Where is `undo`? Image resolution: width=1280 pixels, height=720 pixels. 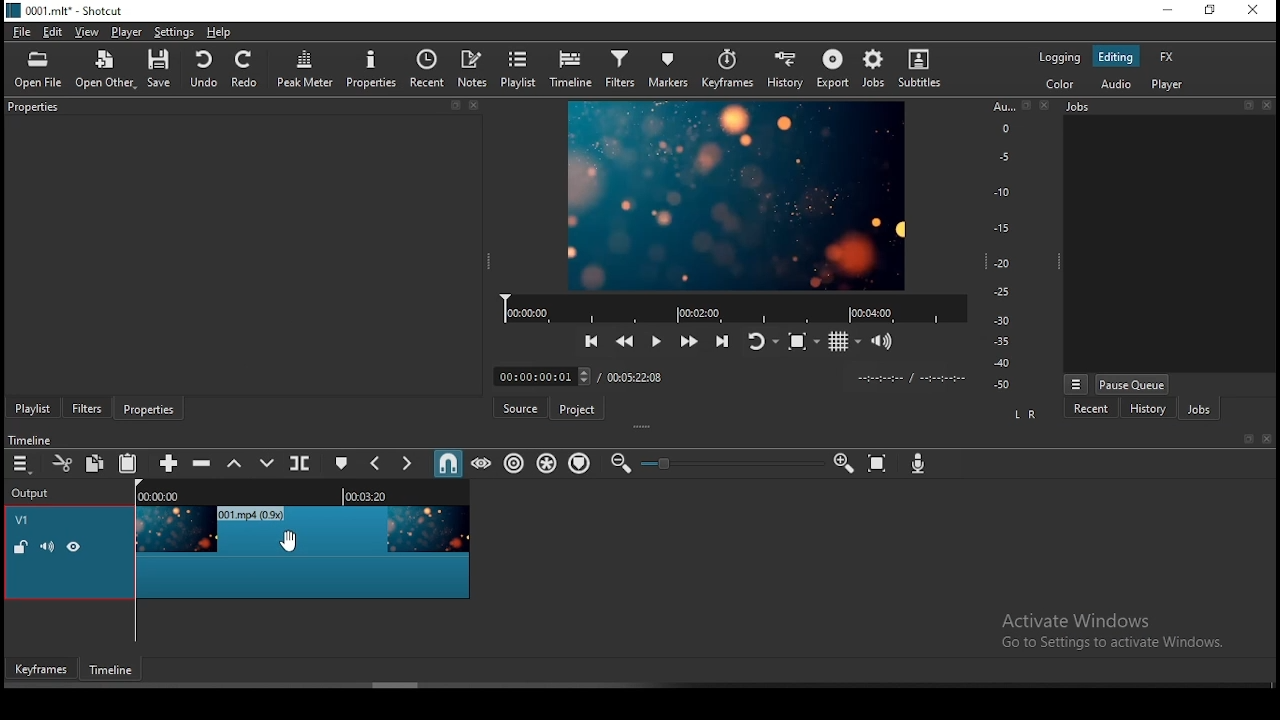
undo is located at coordinates (205, 70).